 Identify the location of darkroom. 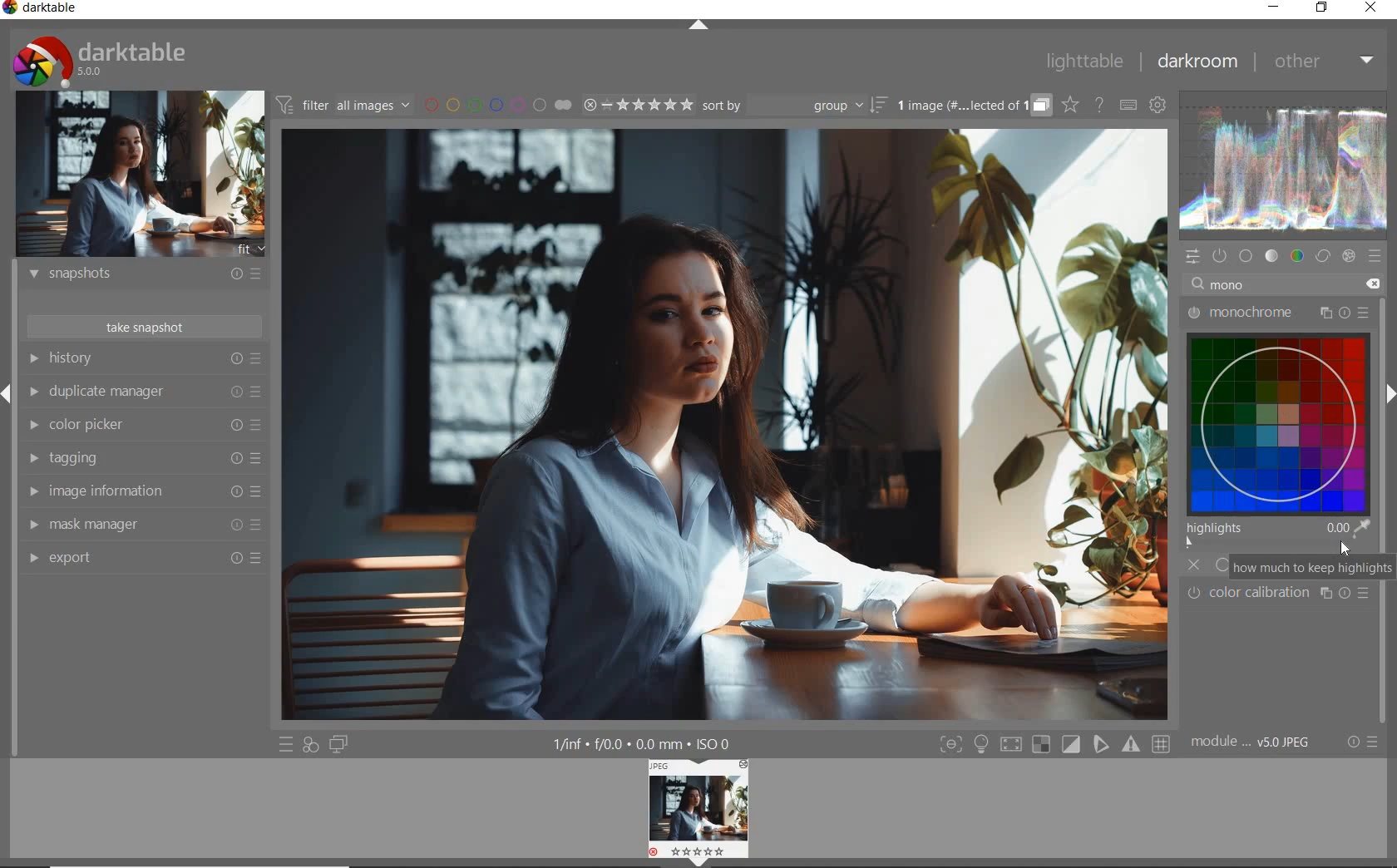
(1199, 62).